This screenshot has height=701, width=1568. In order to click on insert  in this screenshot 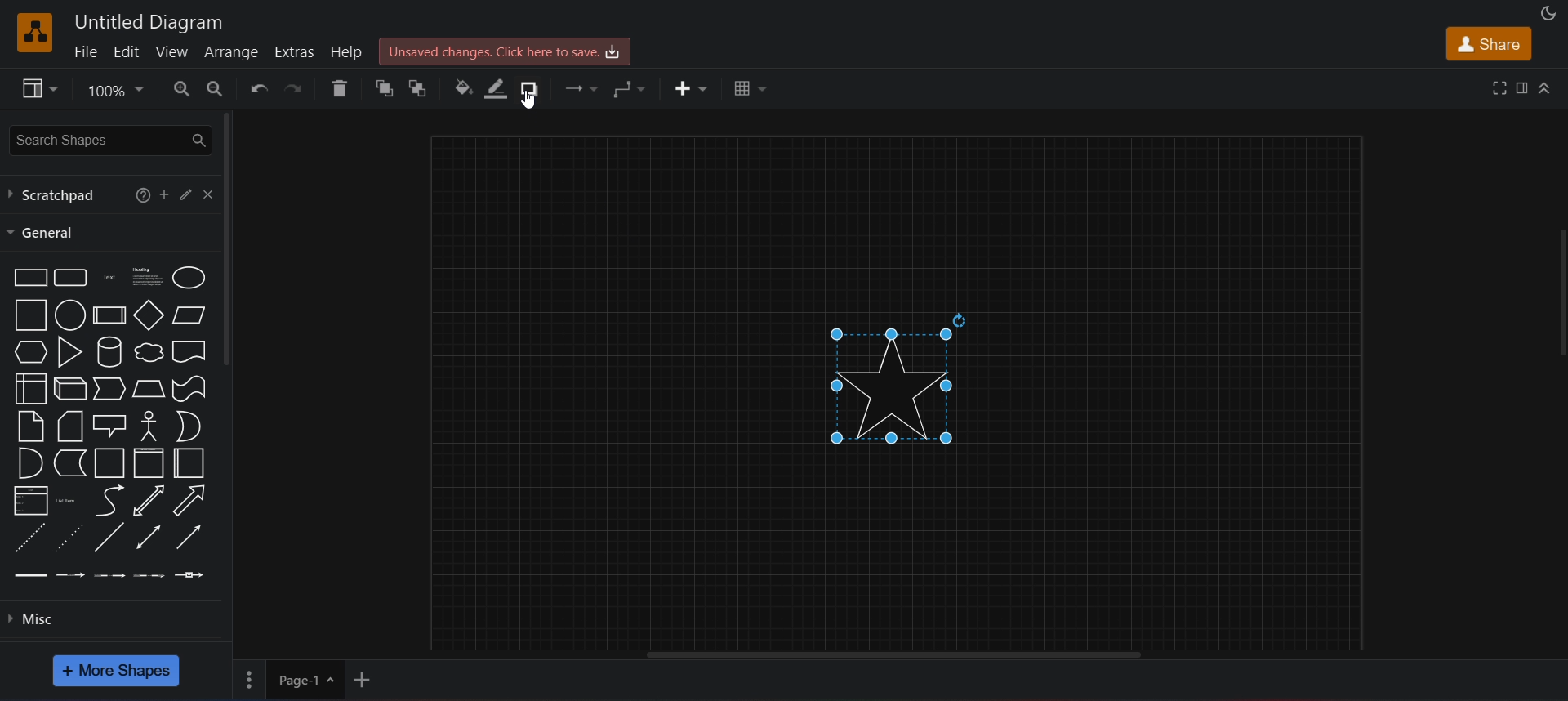, I will do `click(692, 90)`.